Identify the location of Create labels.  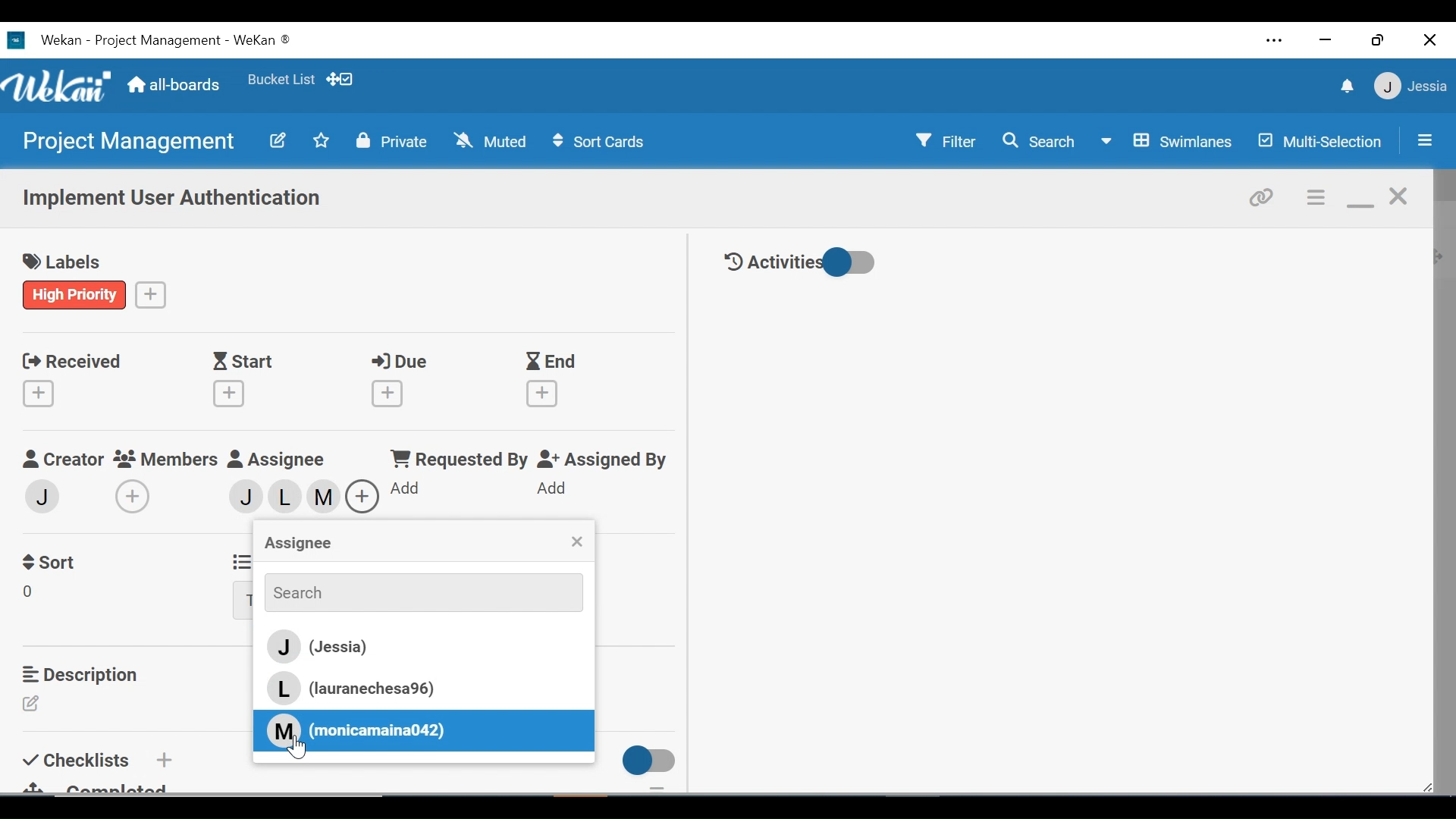
(151, 293).